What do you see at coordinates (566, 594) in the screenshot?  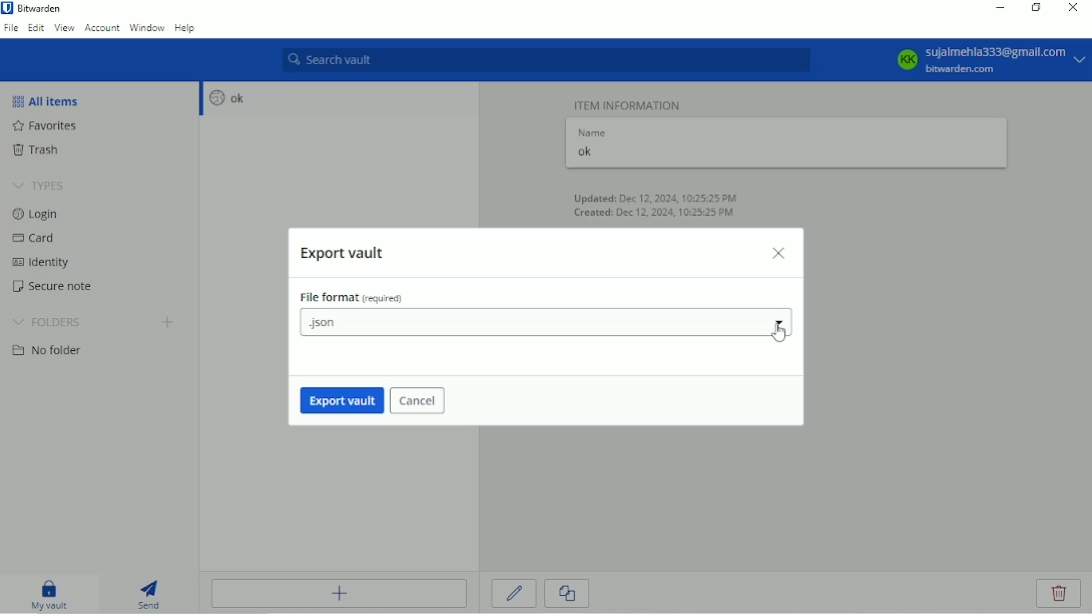 I see `Clone` at bounding box center [566, 594].